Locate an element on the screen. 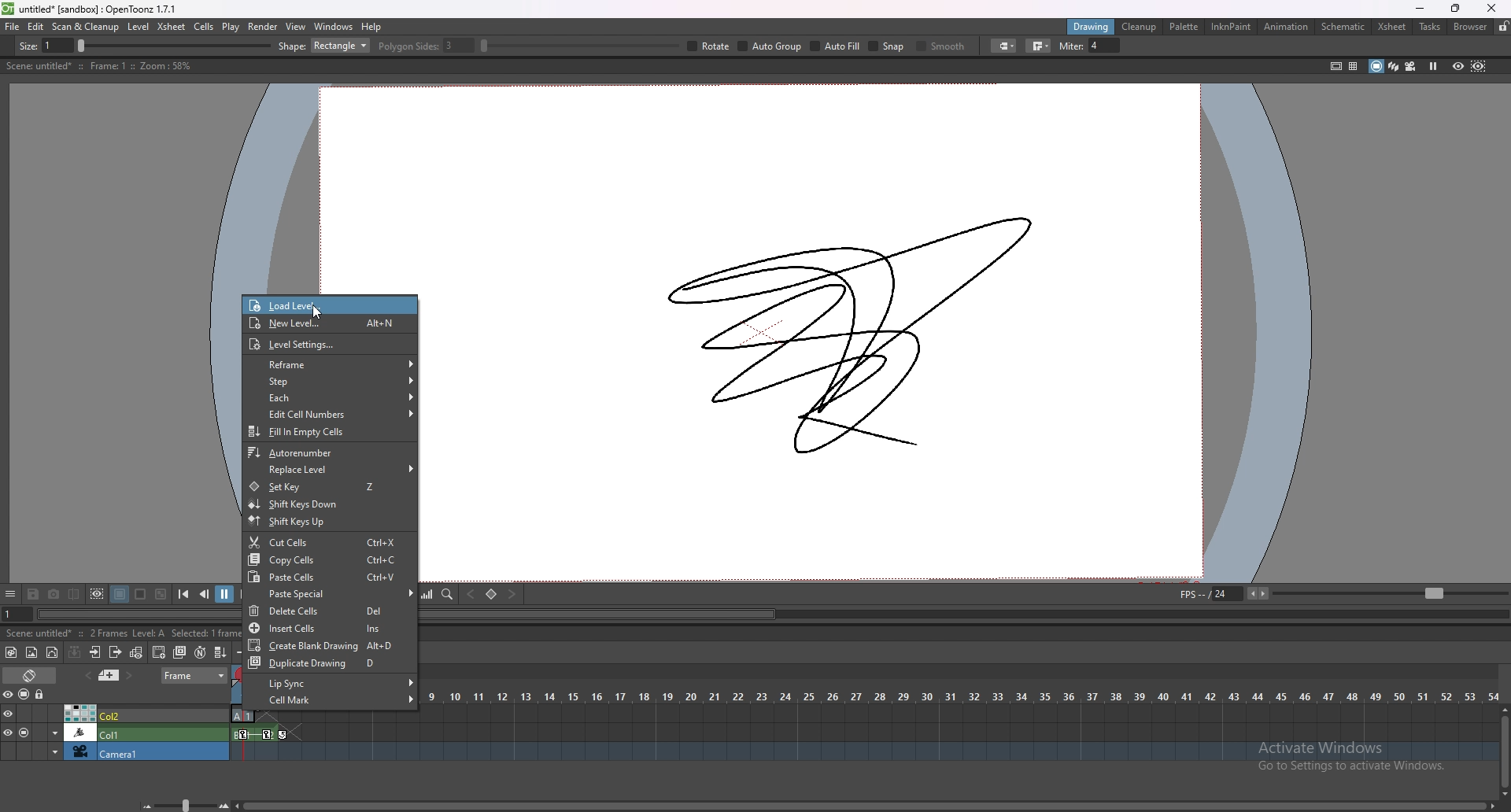 This screenshot has width=1511, height=812. collapse is located at coordinates (74, 651).